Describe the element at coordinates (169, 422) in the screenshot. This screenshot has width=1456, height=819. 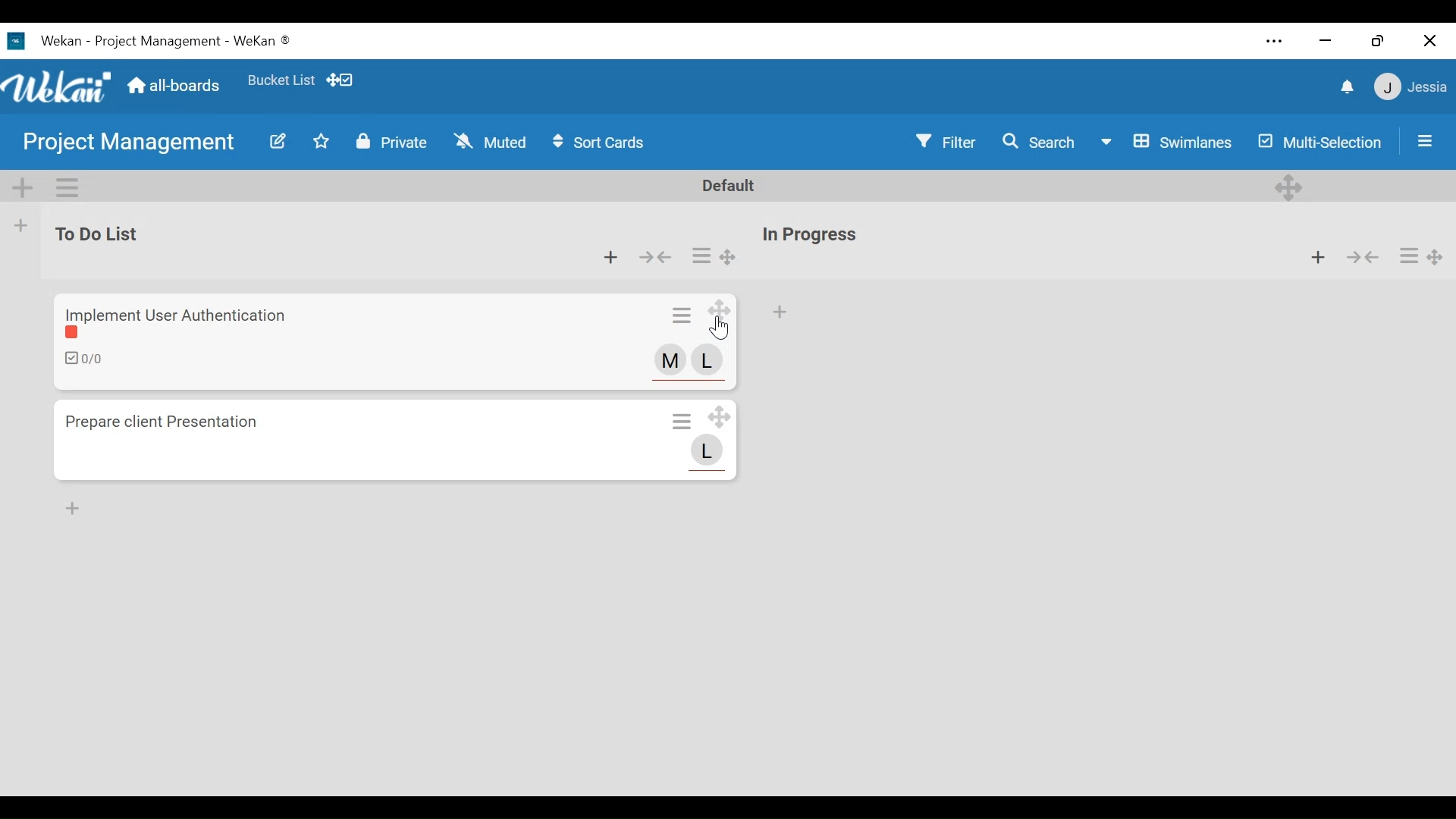
I see `Card Title` at that location.